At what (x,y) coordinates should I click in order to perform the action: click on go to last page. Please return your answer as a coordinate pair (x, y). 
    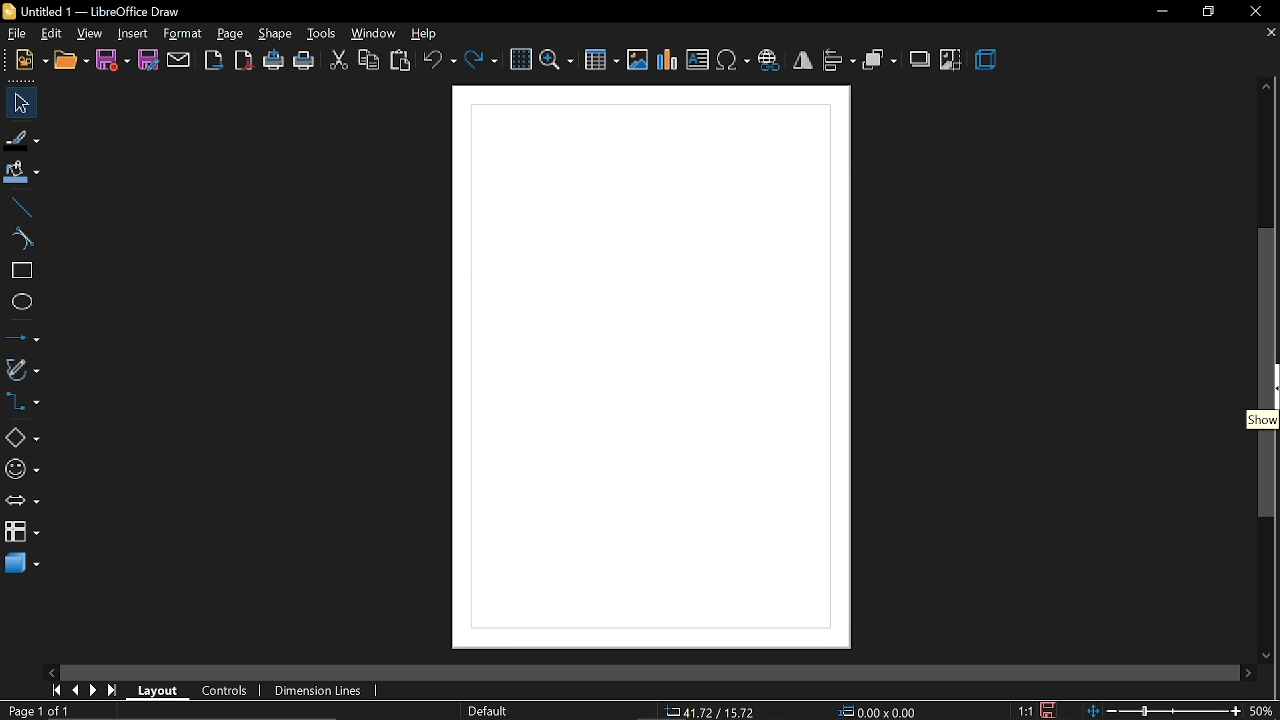
    Looking at the image, I should click on (114, 691).